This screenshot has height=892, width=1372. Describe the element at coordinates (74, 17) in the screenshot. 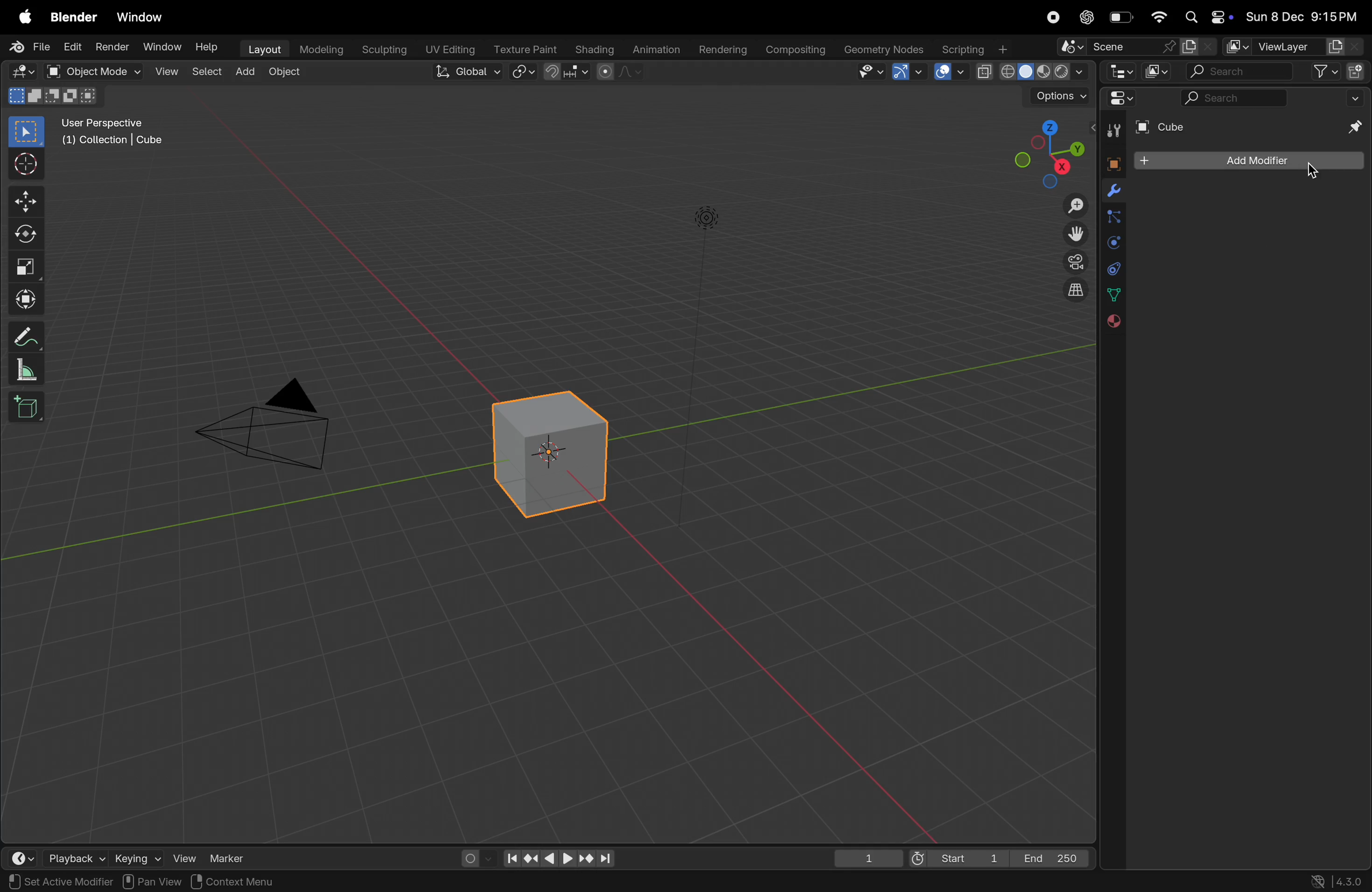

I see `blender` at that location.